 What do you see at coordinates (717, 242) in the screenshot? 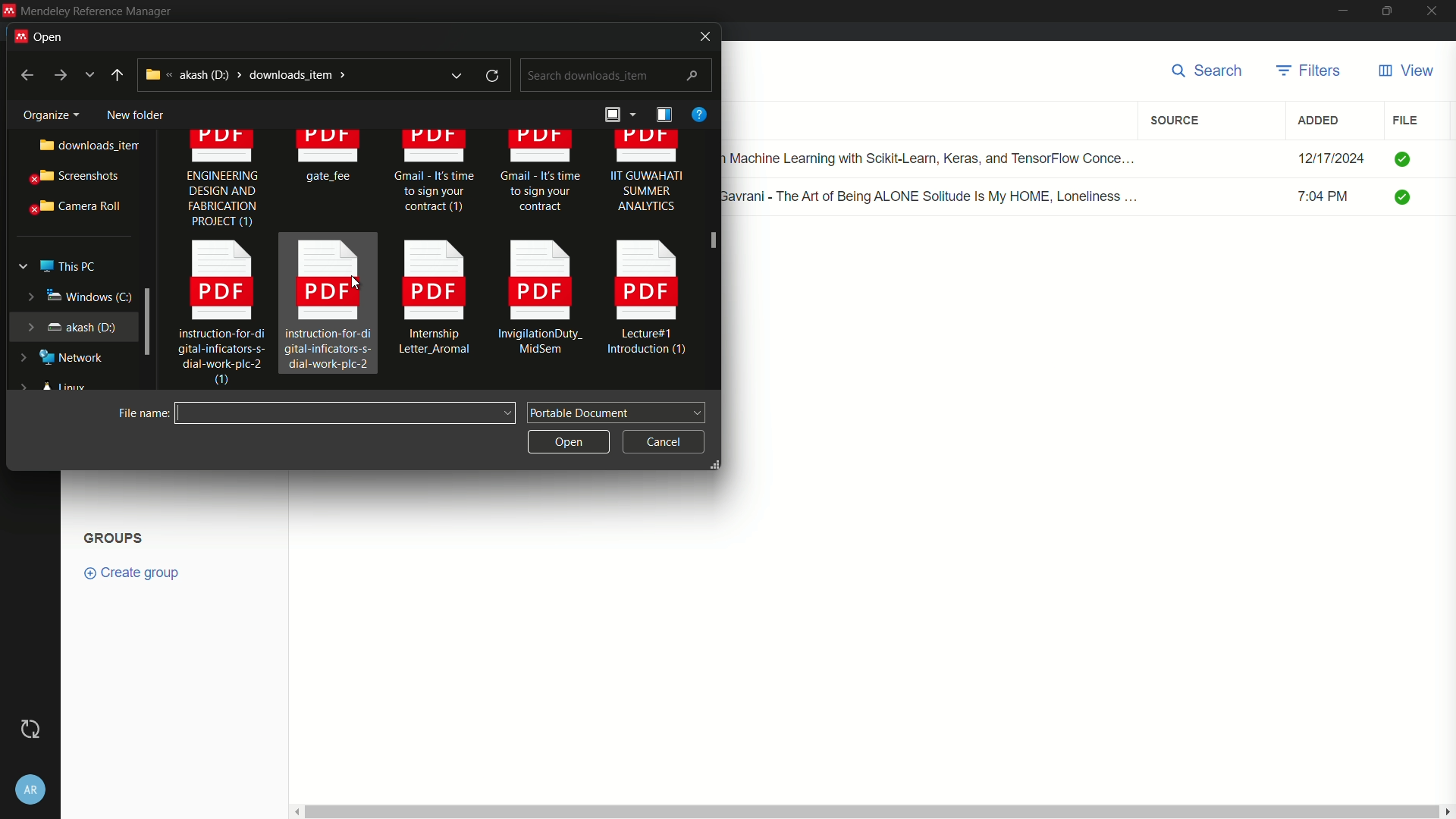
I see `cursor` at bounding box center [717, 242].